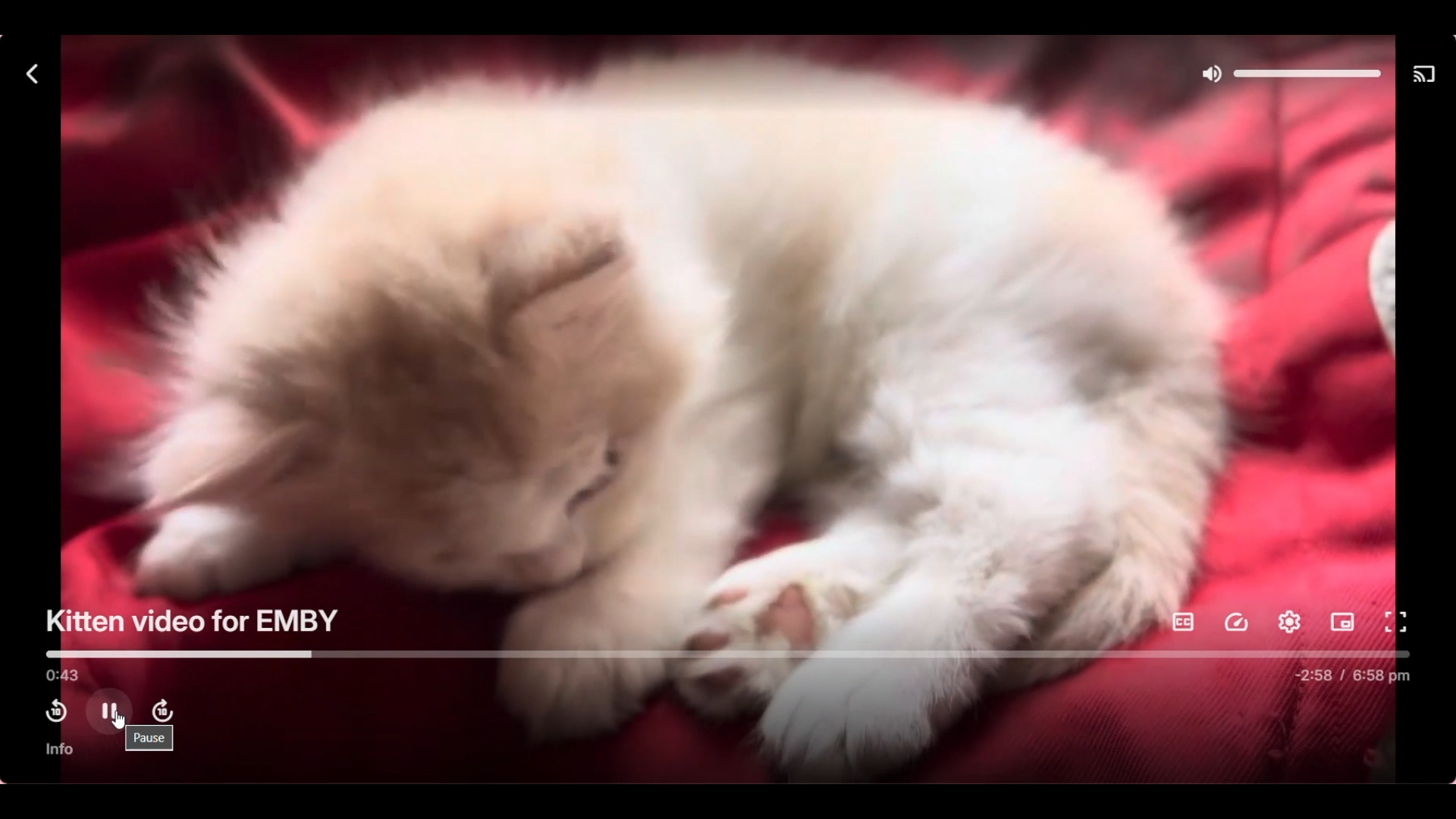  I want to click on Description of current icon, so click(152, 739).